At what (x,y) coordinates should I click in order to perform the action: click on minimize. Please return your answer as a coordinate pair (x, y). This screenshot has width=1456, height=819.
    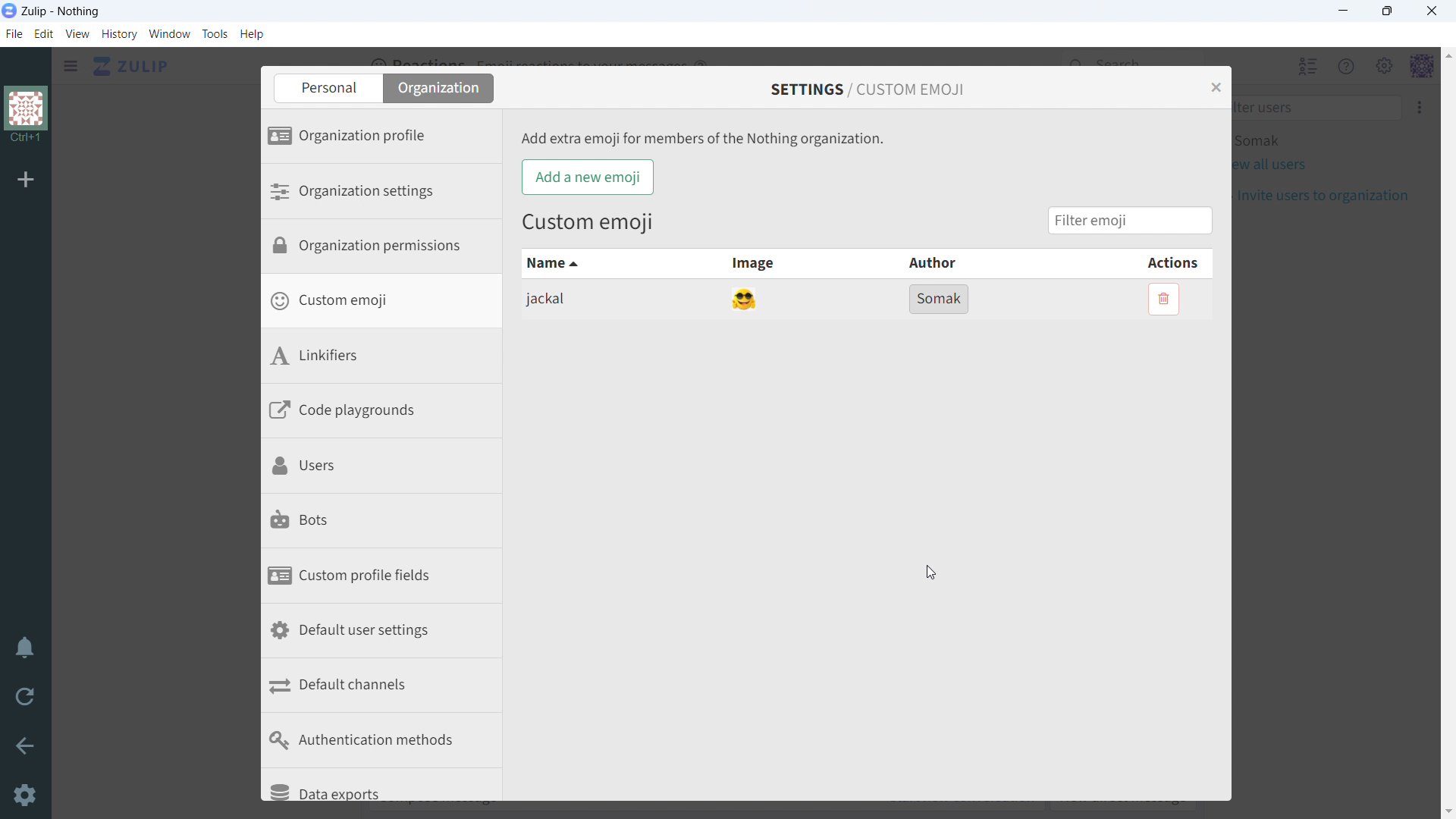
    Looking at the image, I should click on (1345, 11).